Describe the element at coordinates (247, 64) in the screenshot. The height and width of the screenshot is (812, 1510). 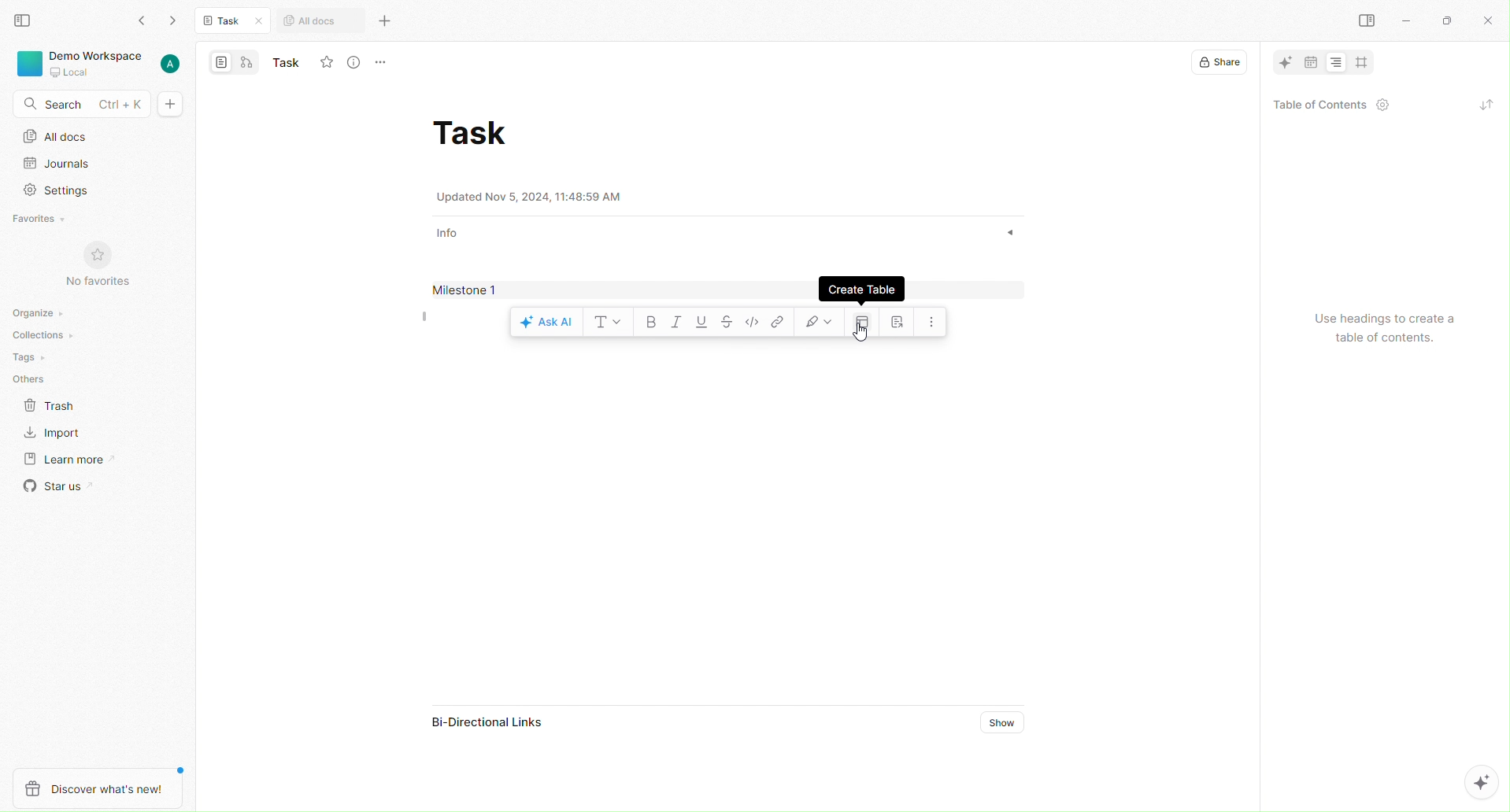
I see `edgeless mode` at that location.